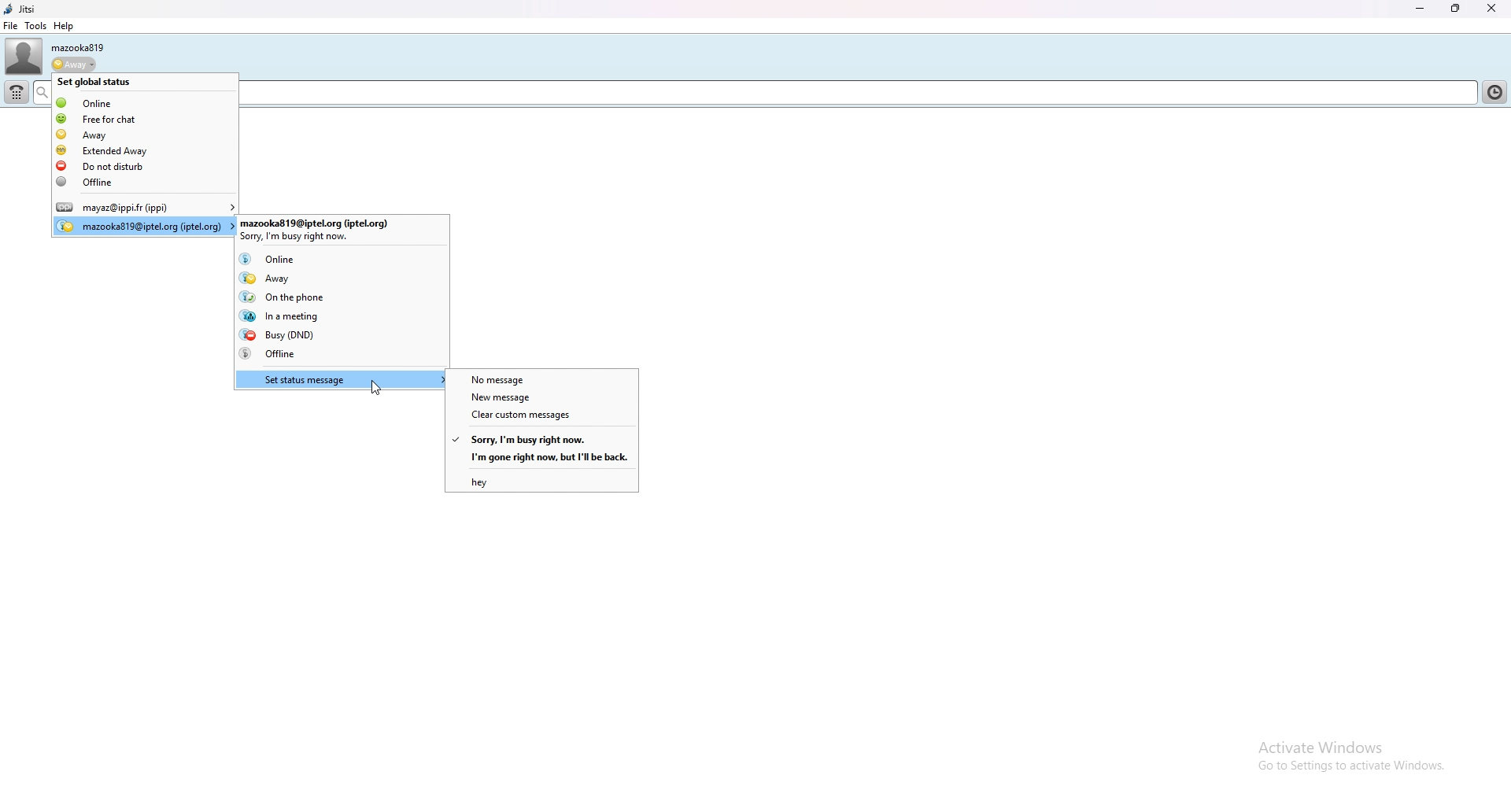 Image resolution: width=1511 pixels, height=812 pixels. I want to click on status, so click(72, 65).